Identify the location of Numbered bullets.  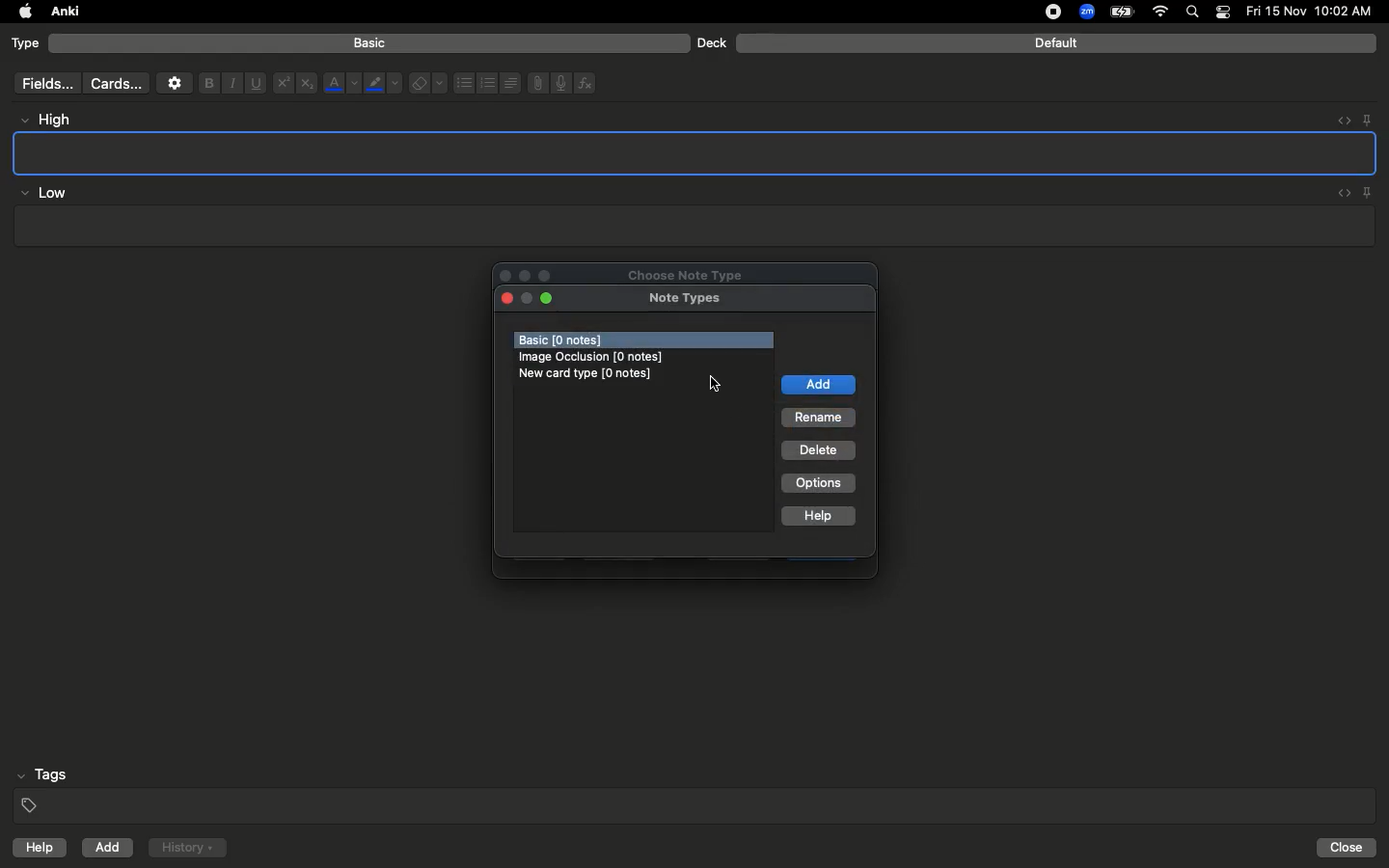
(488, 83).